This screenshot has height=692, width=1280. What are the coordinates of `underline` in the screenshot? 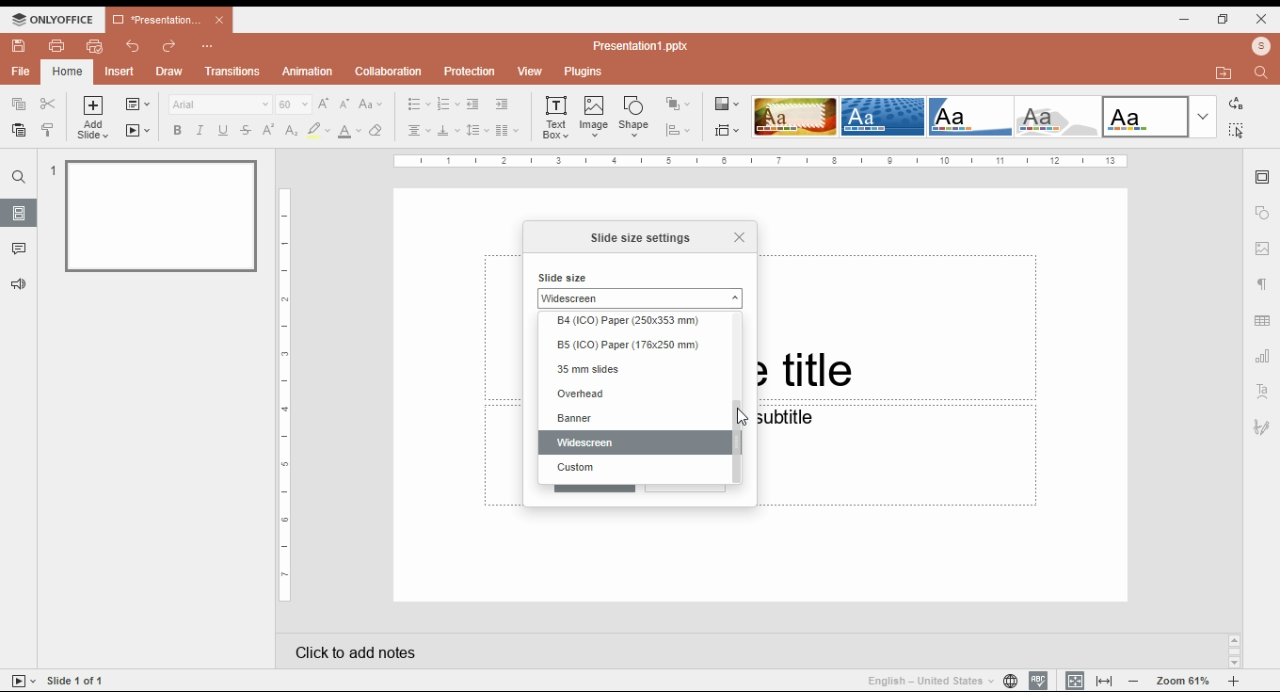 It's located at (222, 130).